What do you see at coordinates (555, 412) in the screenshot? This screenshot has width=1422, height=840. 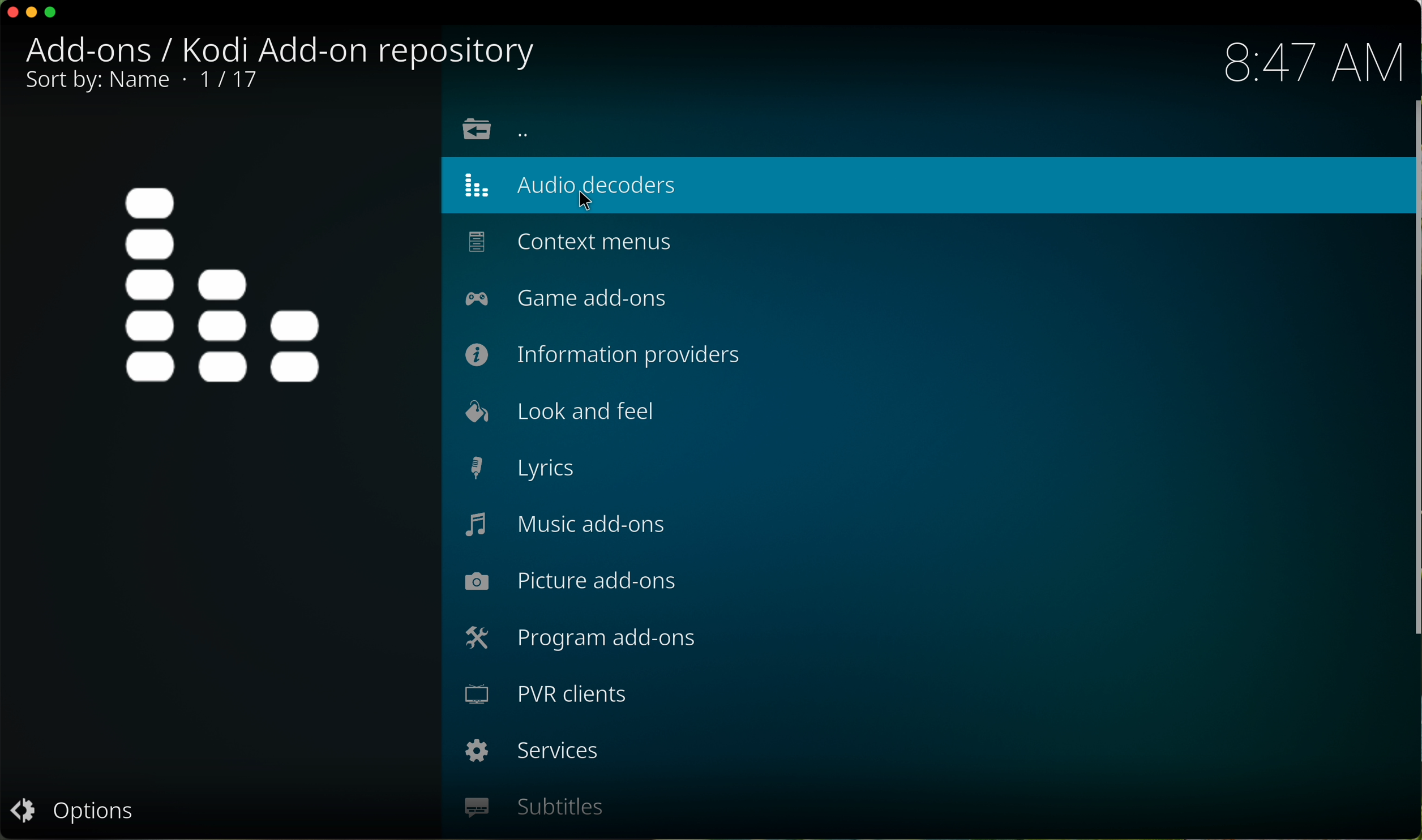 I see `look and feel` at bounding box center [555, 412].